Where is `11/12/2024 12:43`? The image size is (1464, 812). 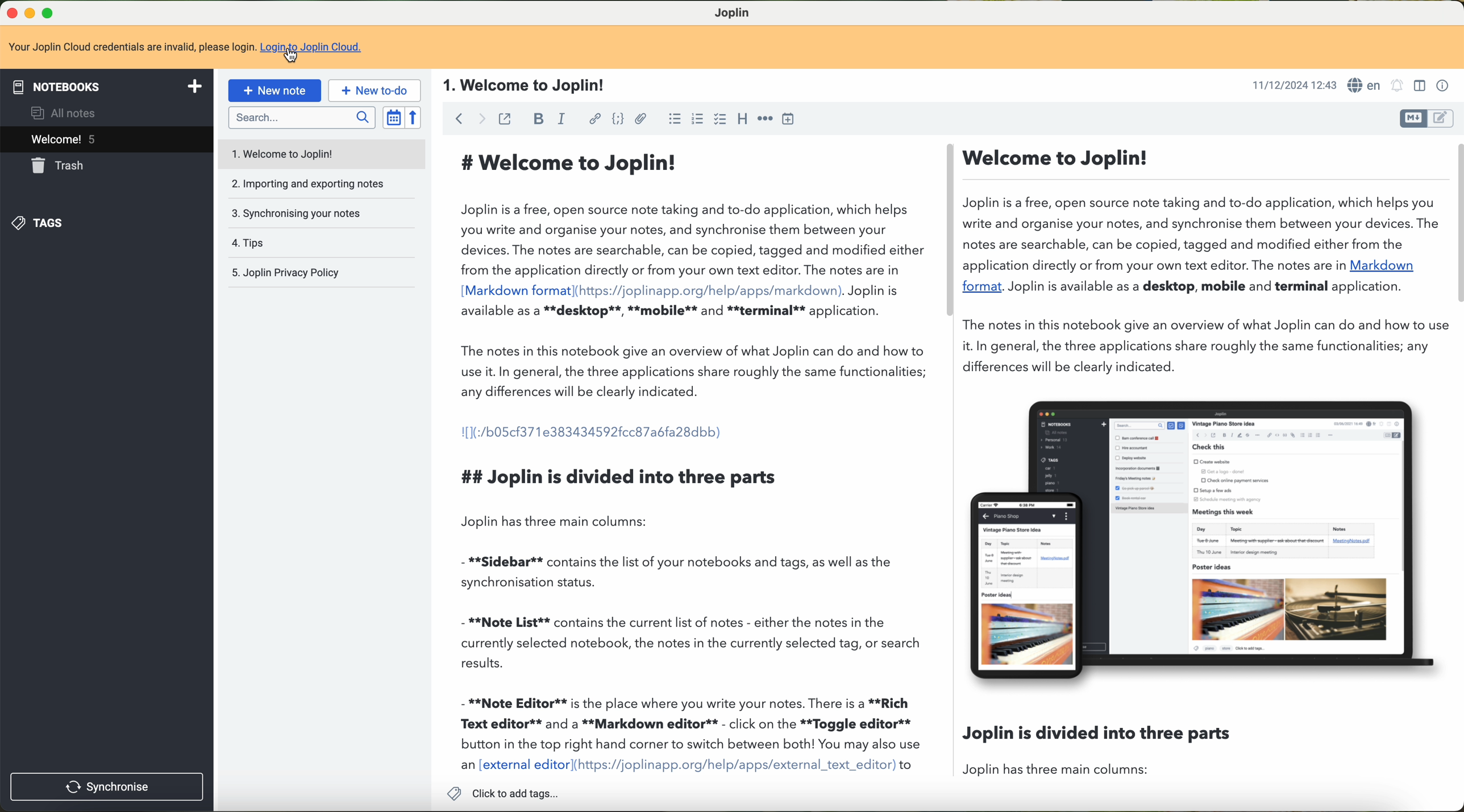 11/12/2024 12:43 is located at coordinates (1295, 86).